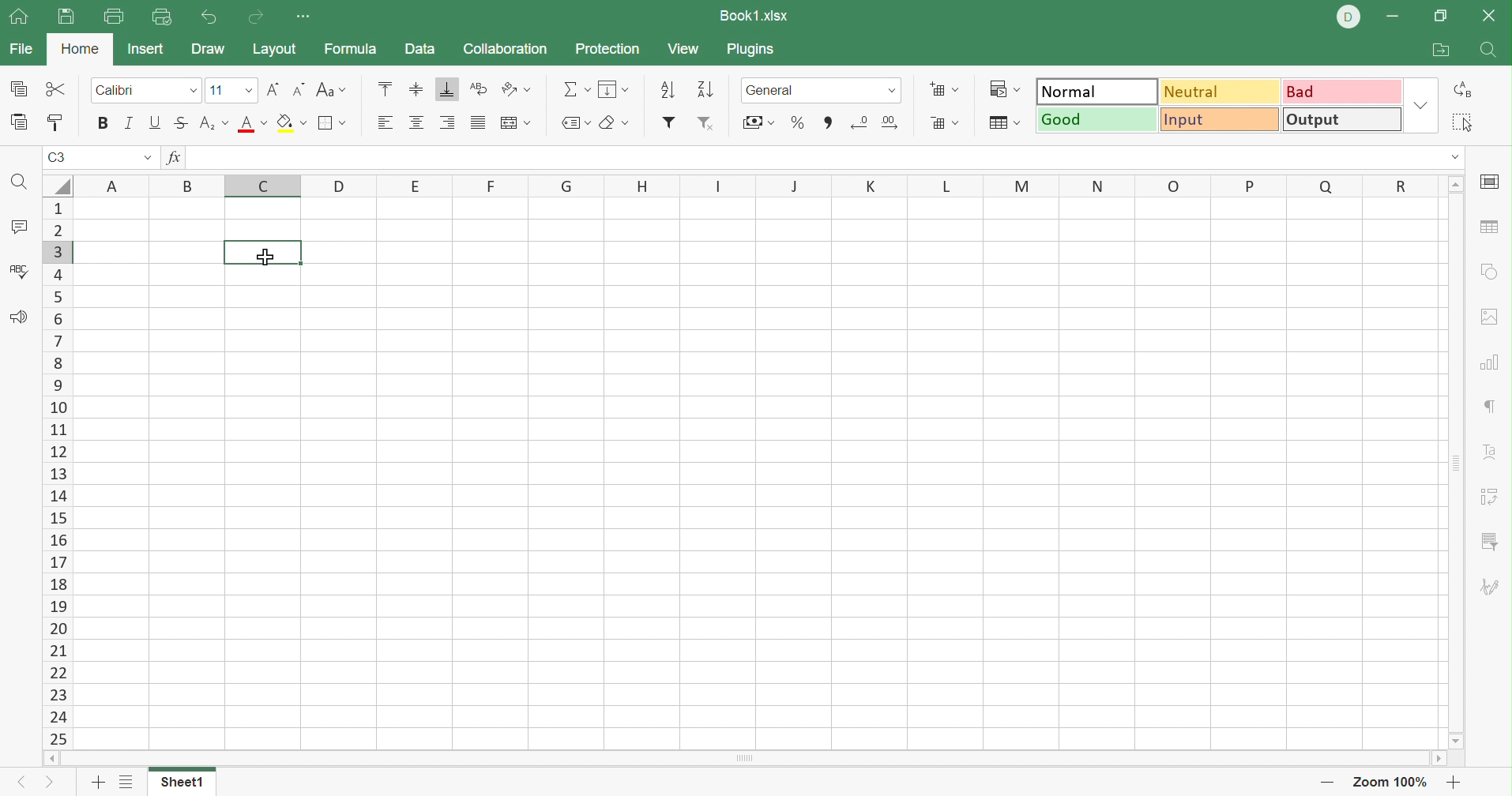  I want to click on C3, so click(58, 158).